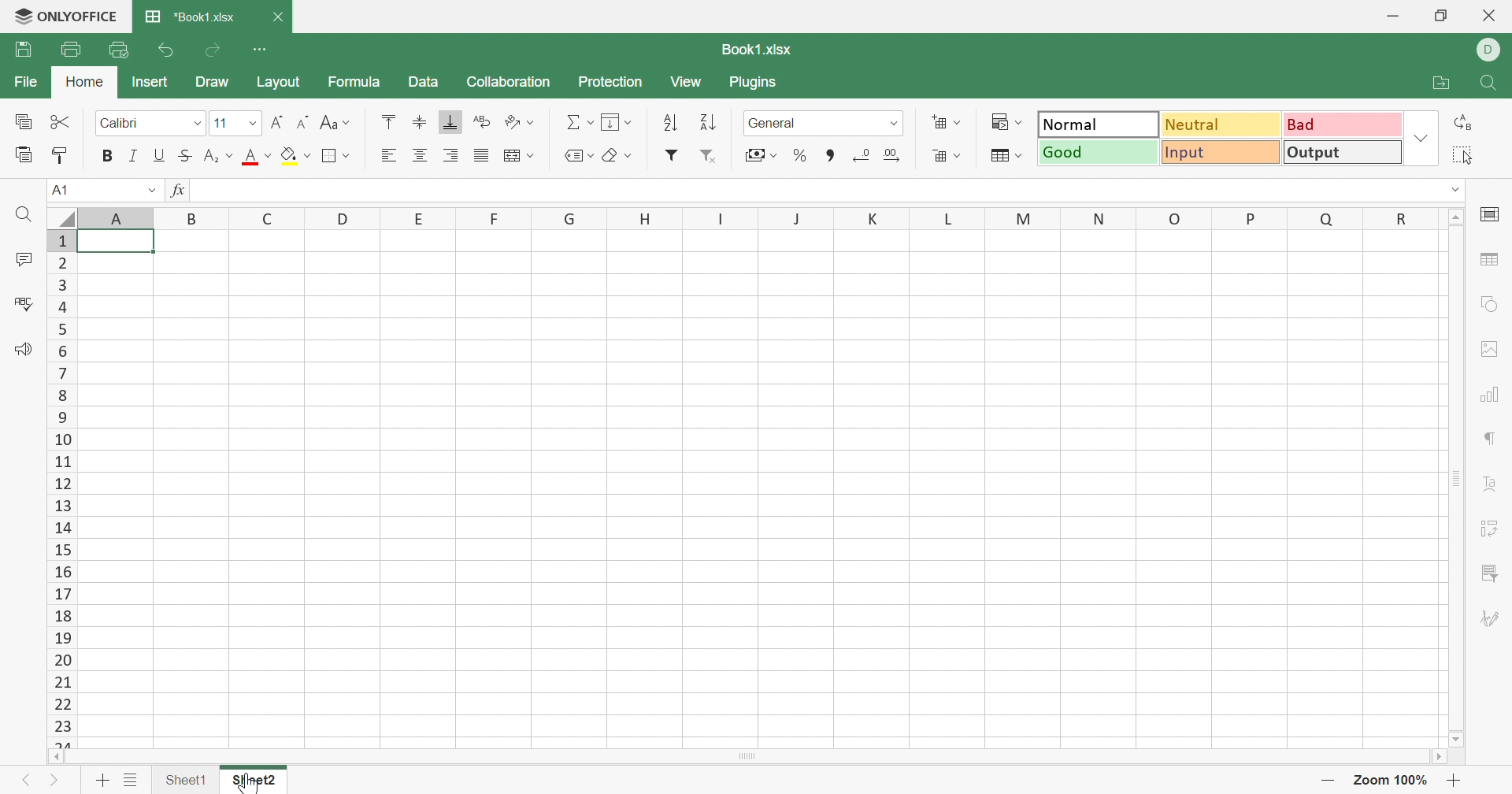  What do you see at coordinates (246, 783) in the screenshot?
I see `cursor` at bounding box center [246, 783].